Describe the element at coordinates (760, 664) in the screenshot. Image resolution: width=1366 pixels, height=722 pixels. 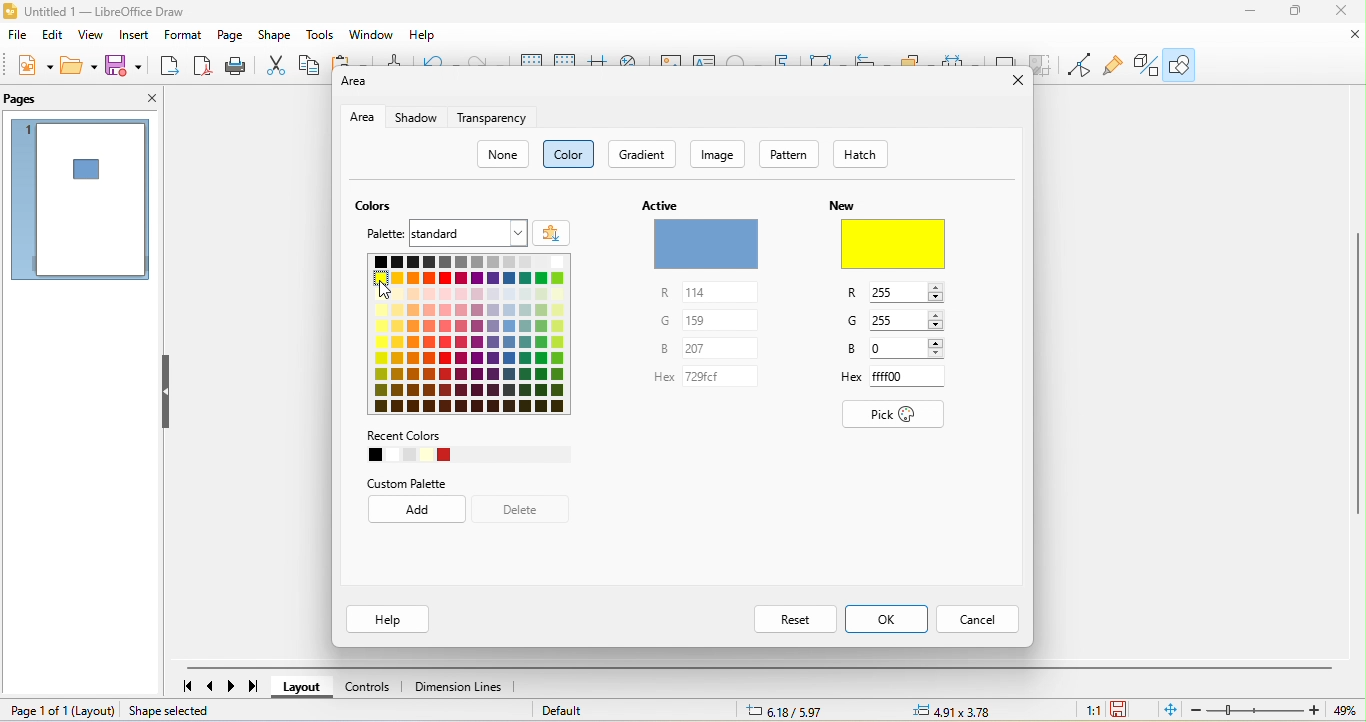
I see `horizontal scroll bar` at that location.